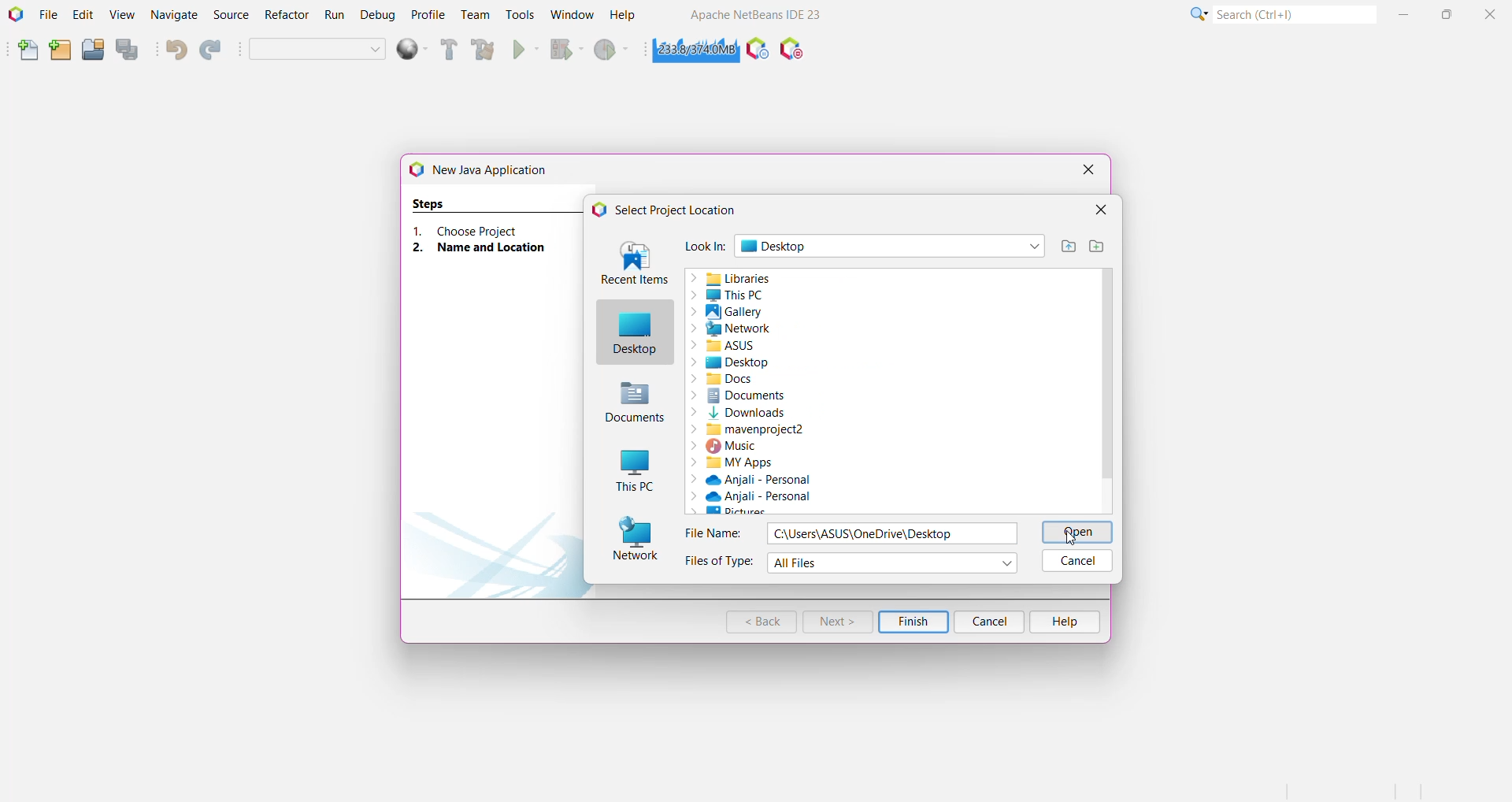  Describe the element at coordinates (1088, 169) in the screenshot. I see `Close` at that location.